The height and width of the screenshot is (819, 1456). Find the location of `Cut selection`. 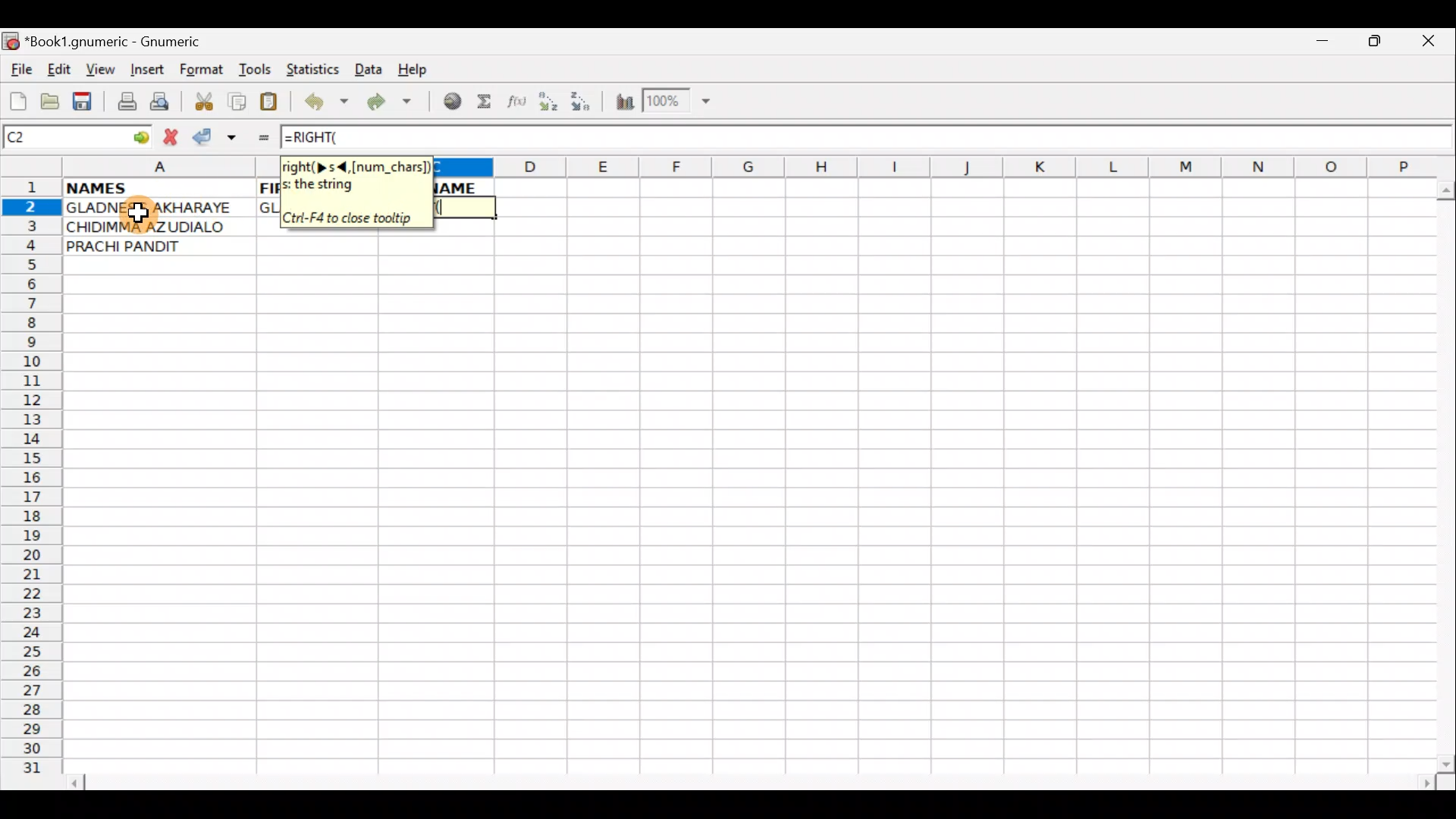

Cut selection is located at coordinates (203, 99).